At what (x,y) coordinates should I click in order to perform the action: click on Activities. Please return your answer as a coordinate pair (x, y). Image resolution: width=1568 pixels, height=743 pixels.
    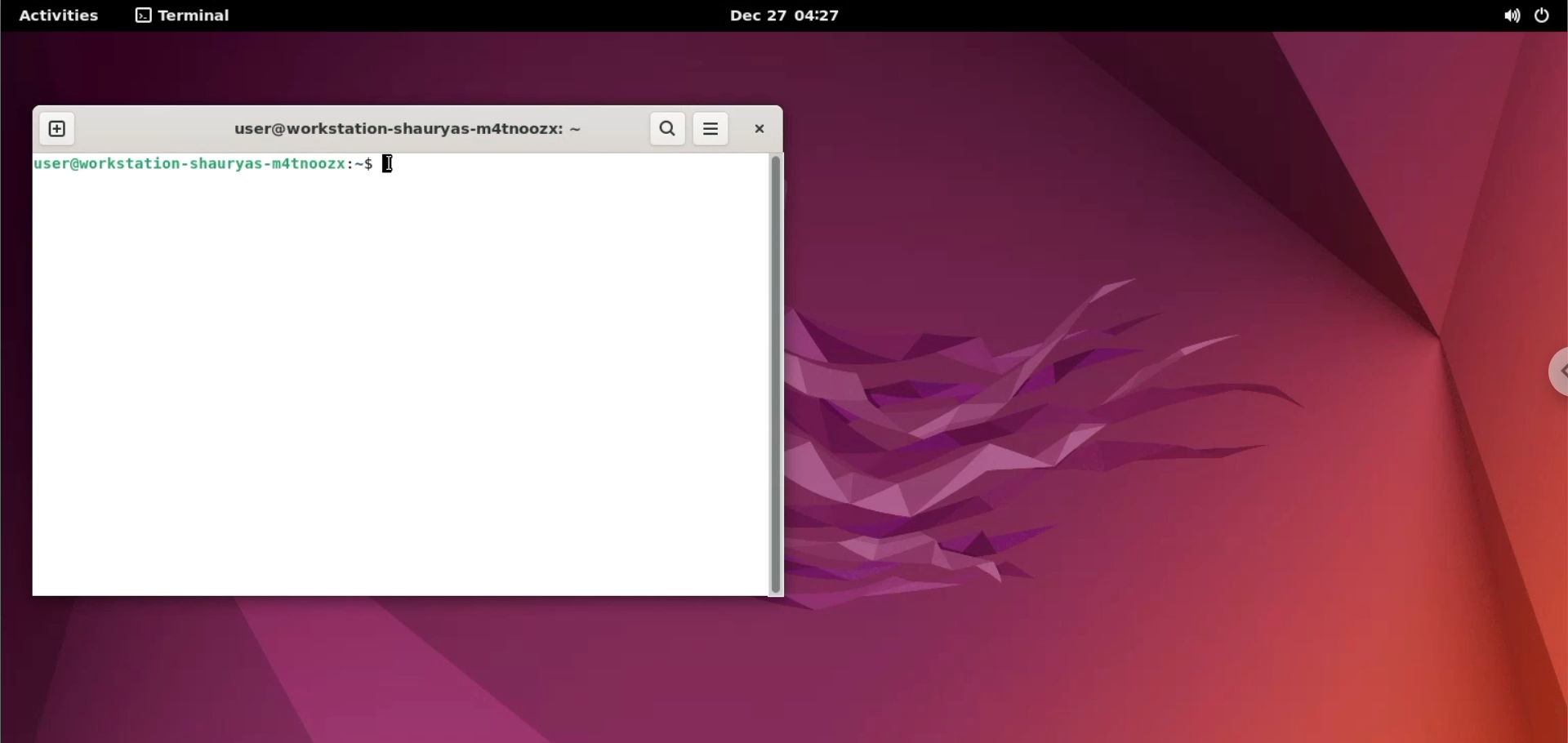
    Looking at the image, I should click on (60, 15).